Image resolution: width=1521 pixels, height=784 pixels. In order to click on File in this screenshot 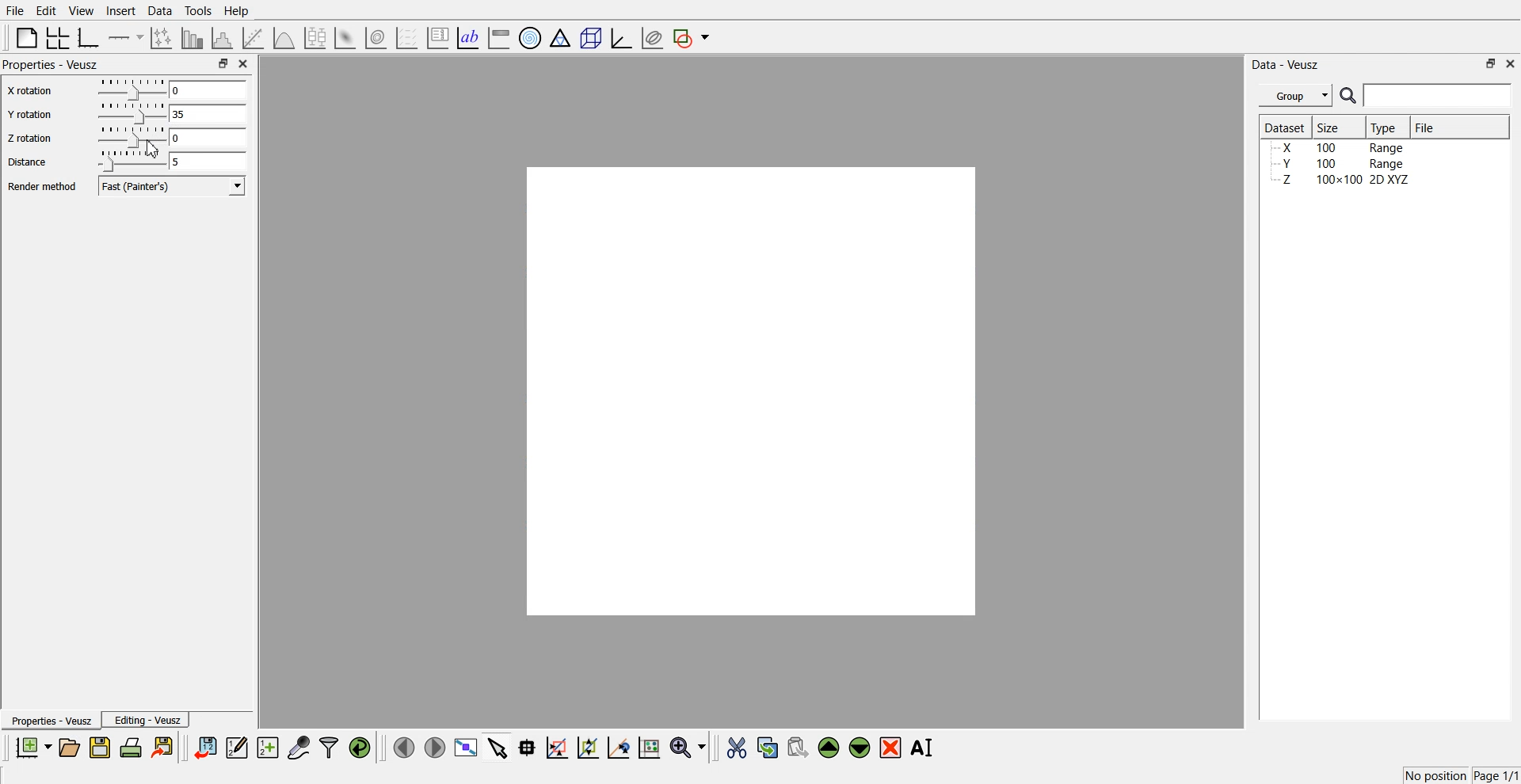, I will do `click(15, 10)`.